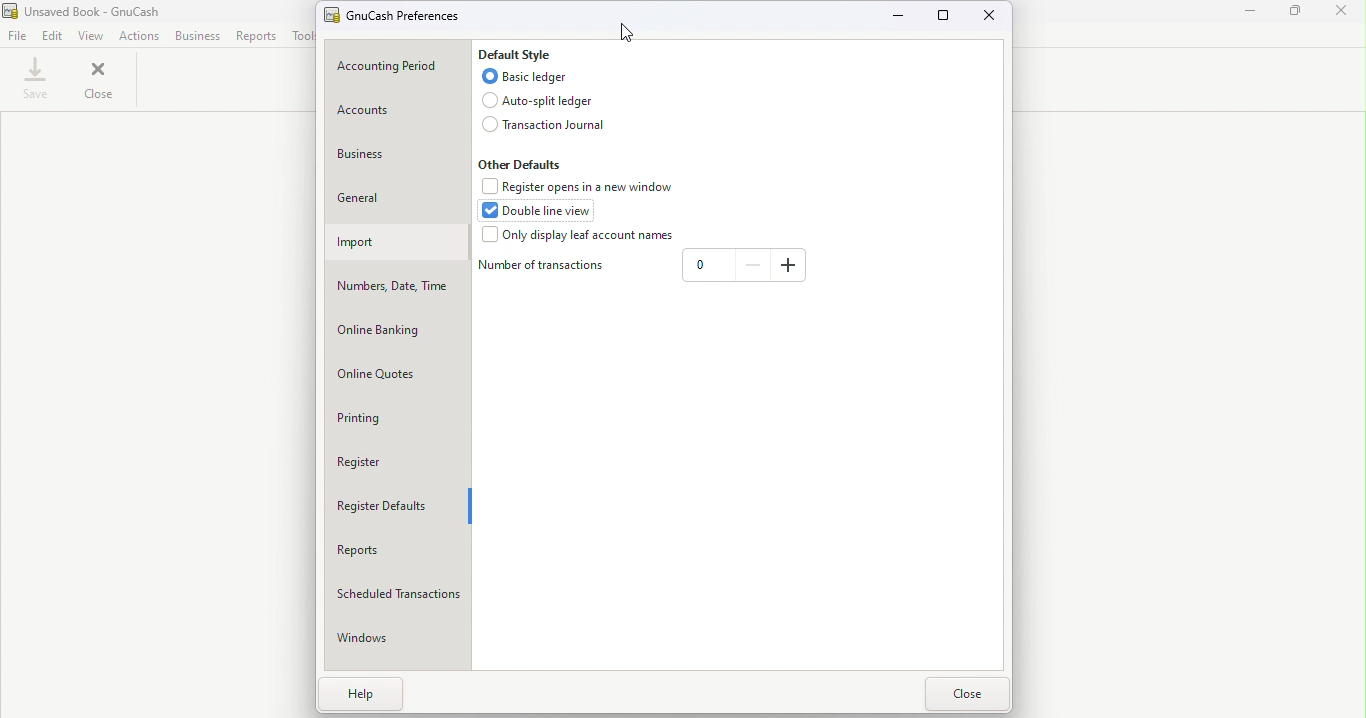  I want to click on Printing, so click(387, 420).